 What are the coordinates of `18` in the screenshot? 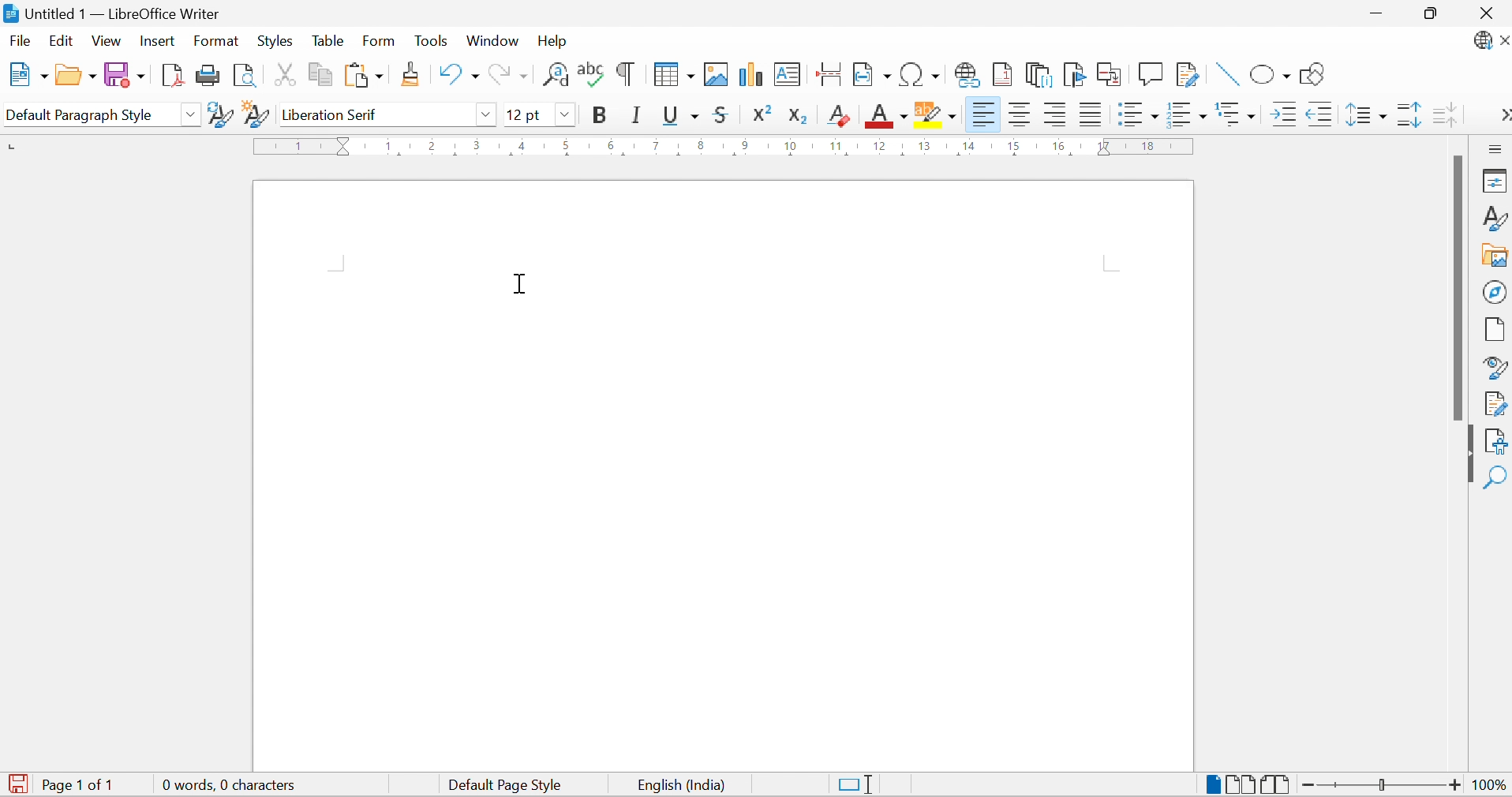 It's located at (1149, 145).